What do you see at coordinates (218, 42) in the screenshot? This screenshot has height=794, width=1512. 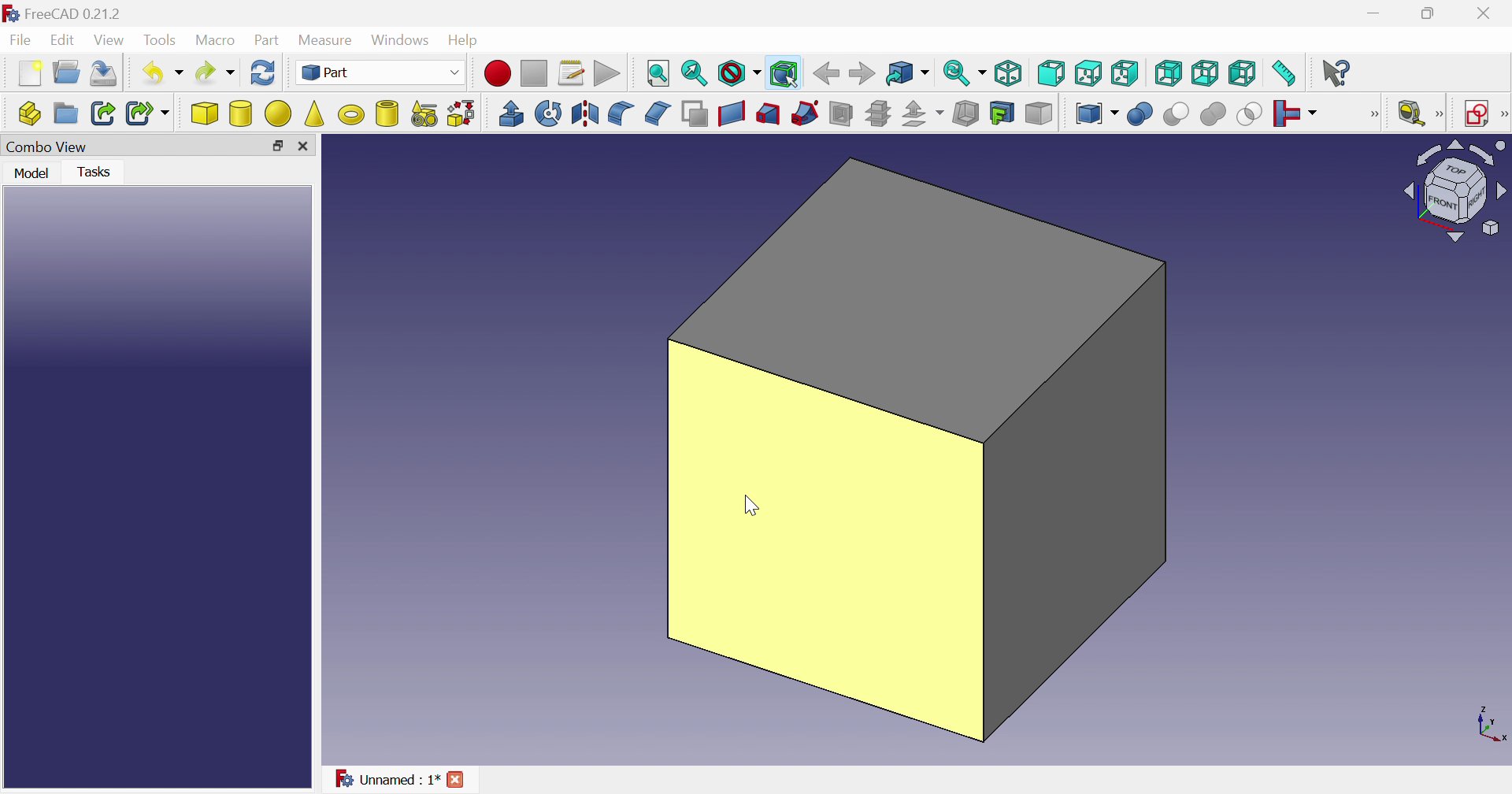 I see `Macro` at bounding box center [218, 42].